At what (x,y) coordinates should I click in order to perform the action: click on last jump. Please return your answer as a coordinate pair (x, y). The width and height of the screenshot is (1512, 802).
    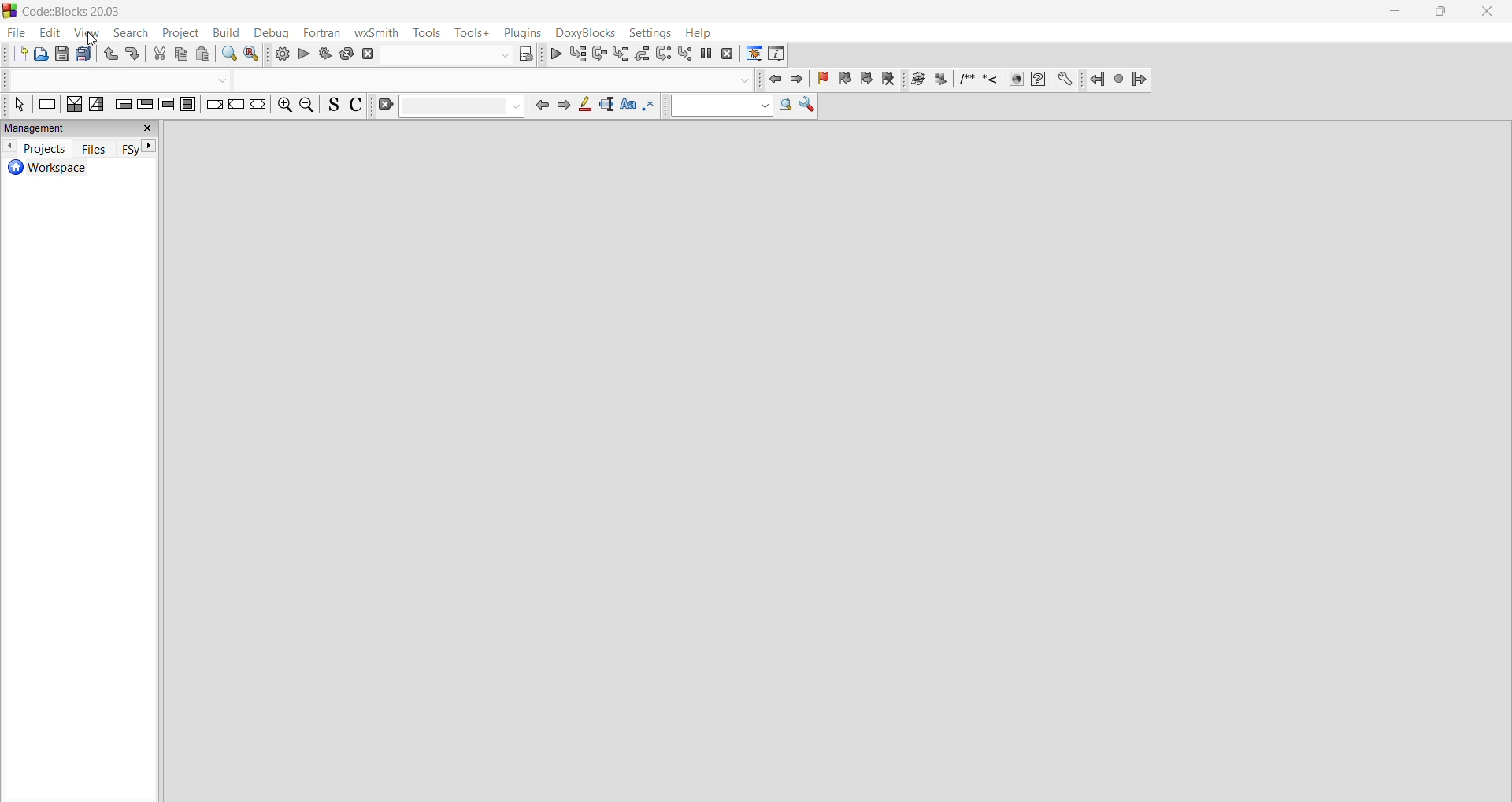
    Looking at the image, I should click on (1117, 81).